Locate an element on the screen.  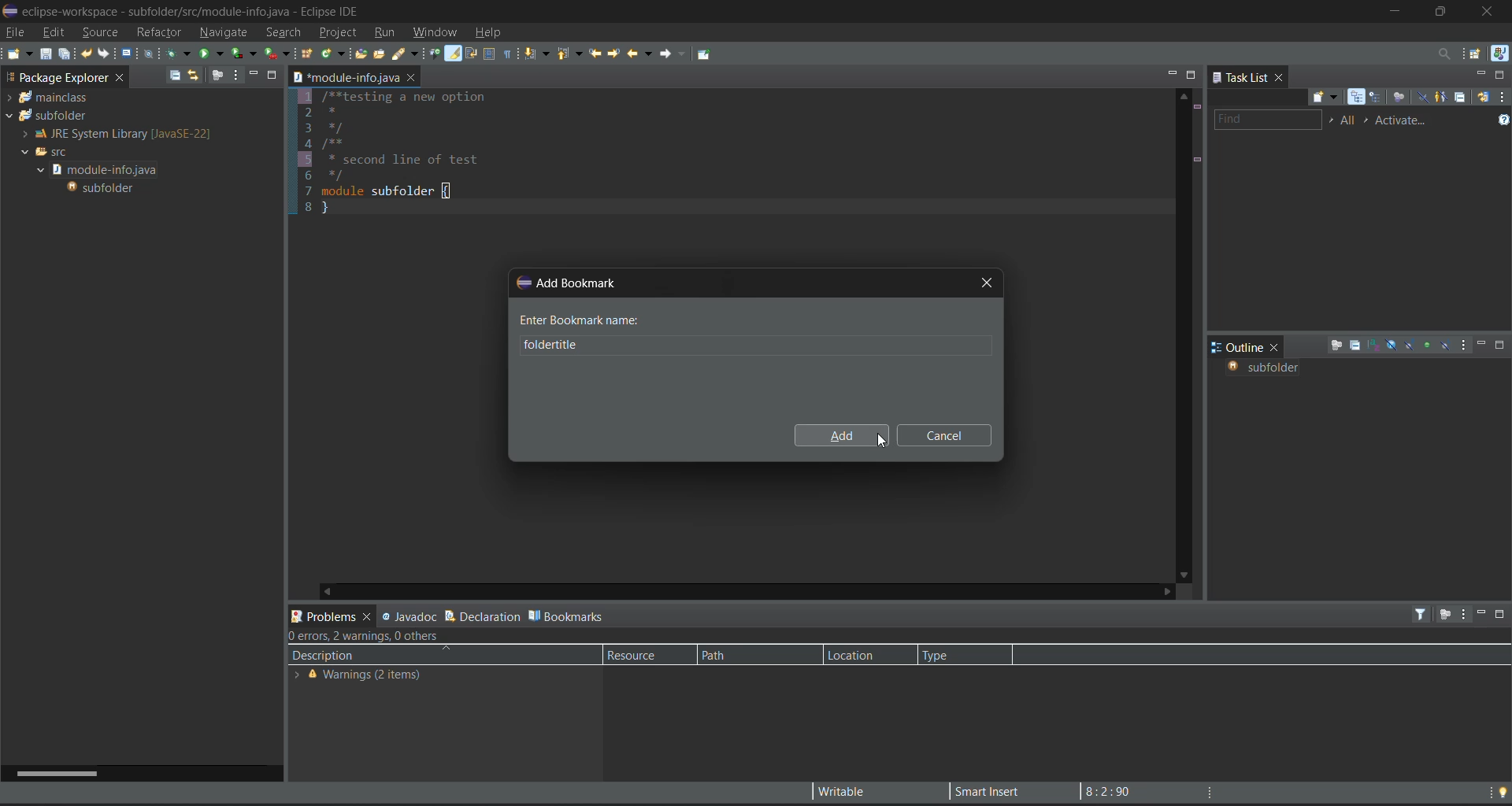
skip all terminals is located at coordinates (152, 53).